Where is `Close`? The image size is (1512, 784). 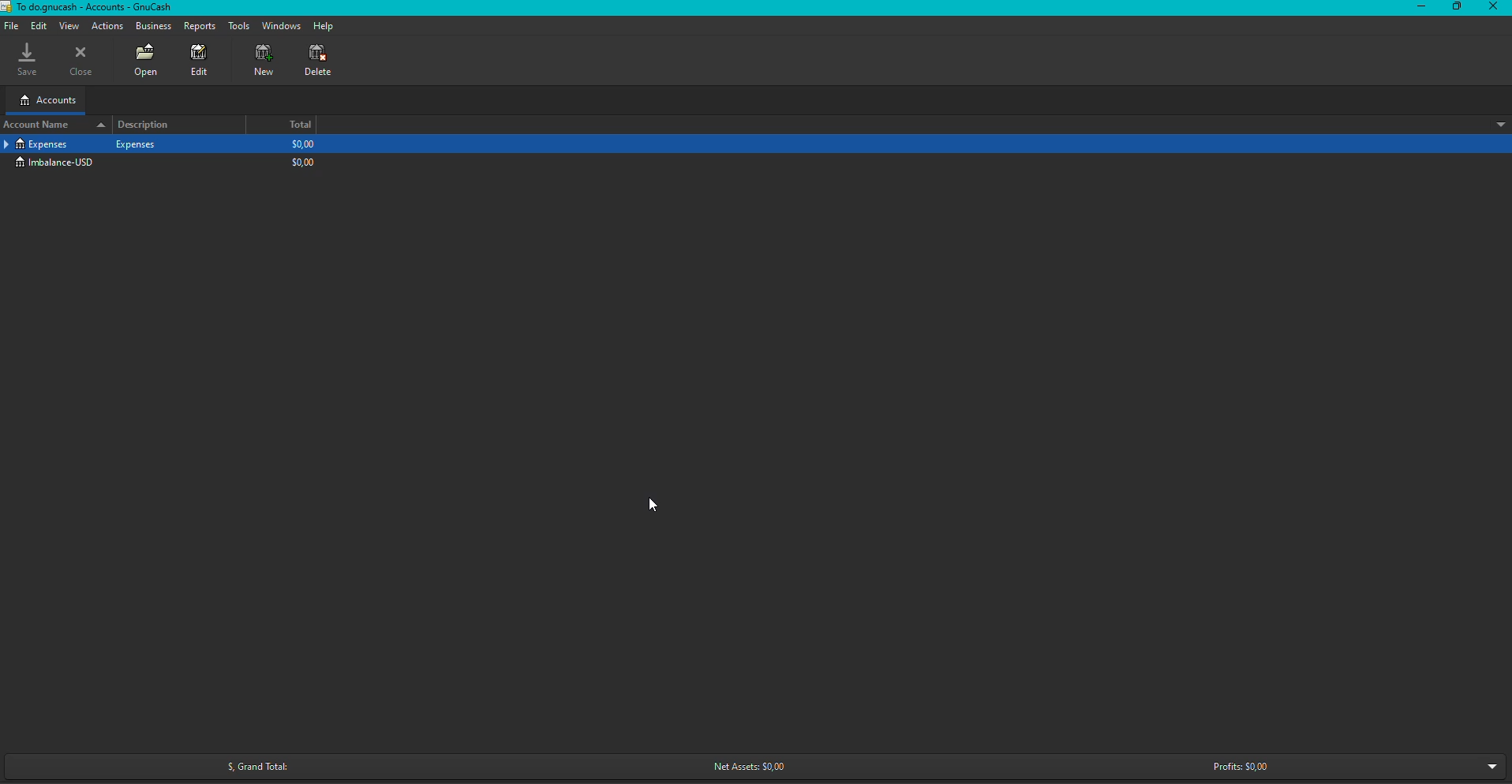 Close is located at coordinates (82, 62).